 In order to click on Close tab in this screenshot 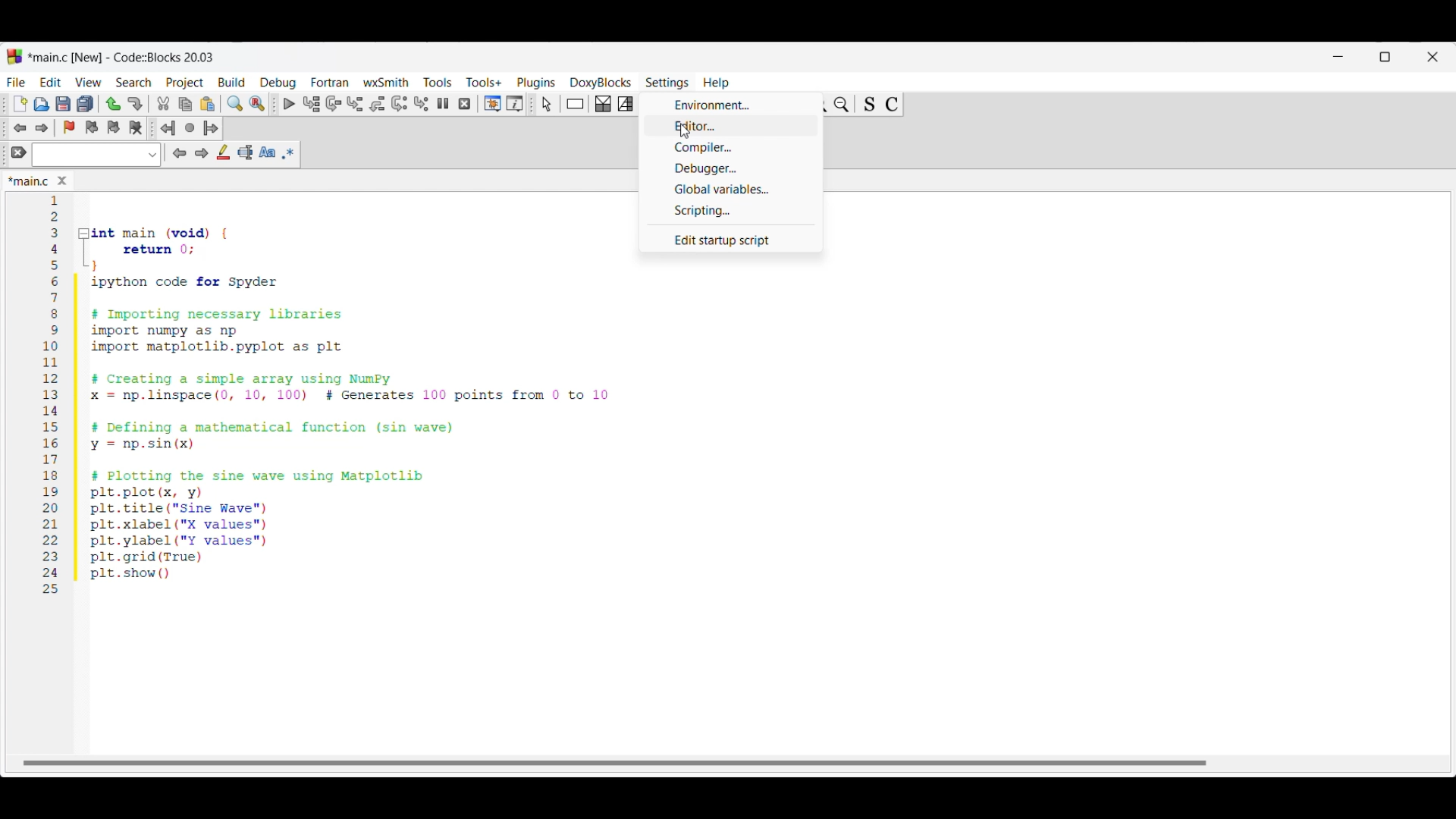, I will do `click(62, 180)`.